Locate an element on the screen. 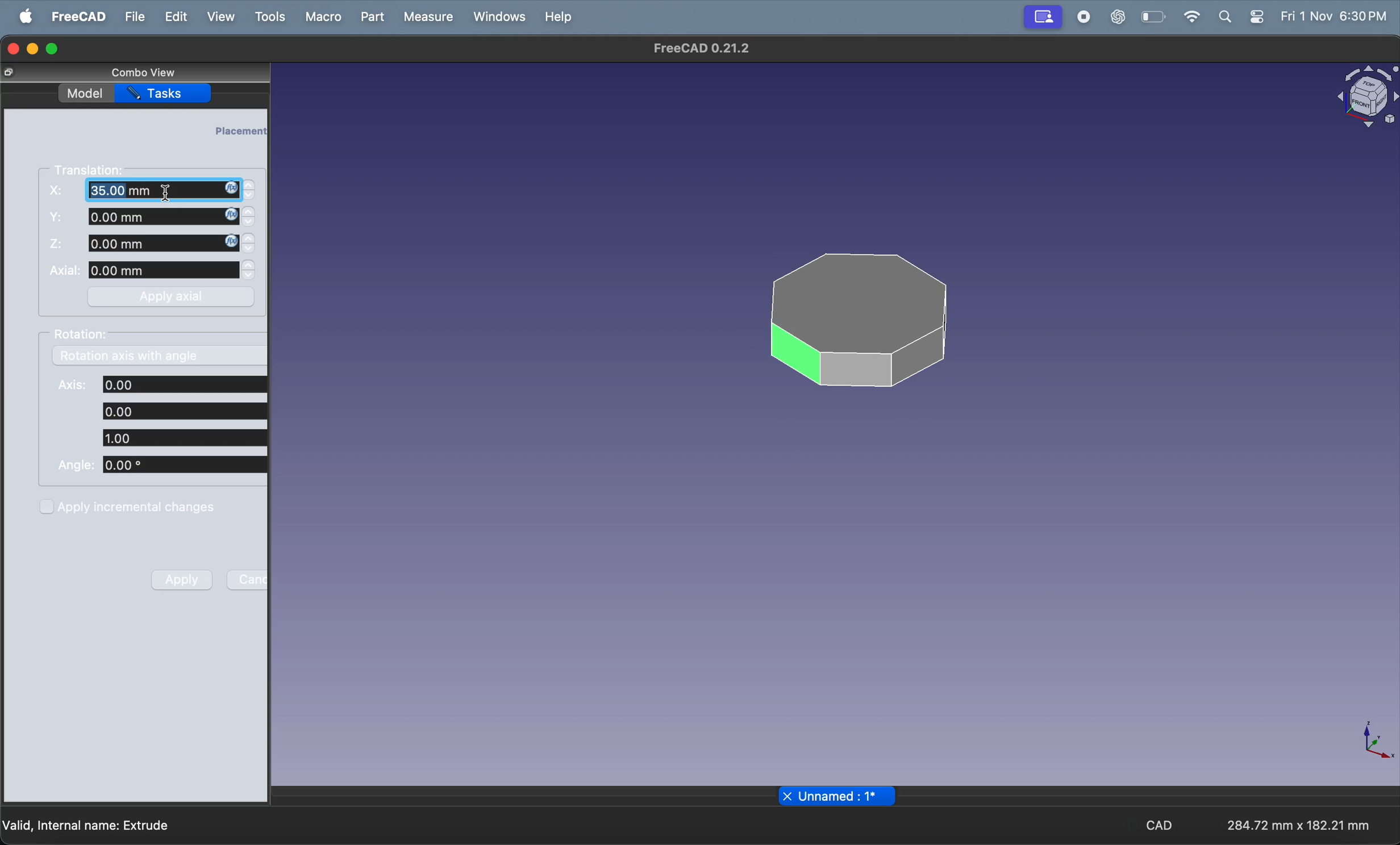 The image size is (1400, 845). 284.72 mm x 182.21 mm is located at coordinates (1294, 823).